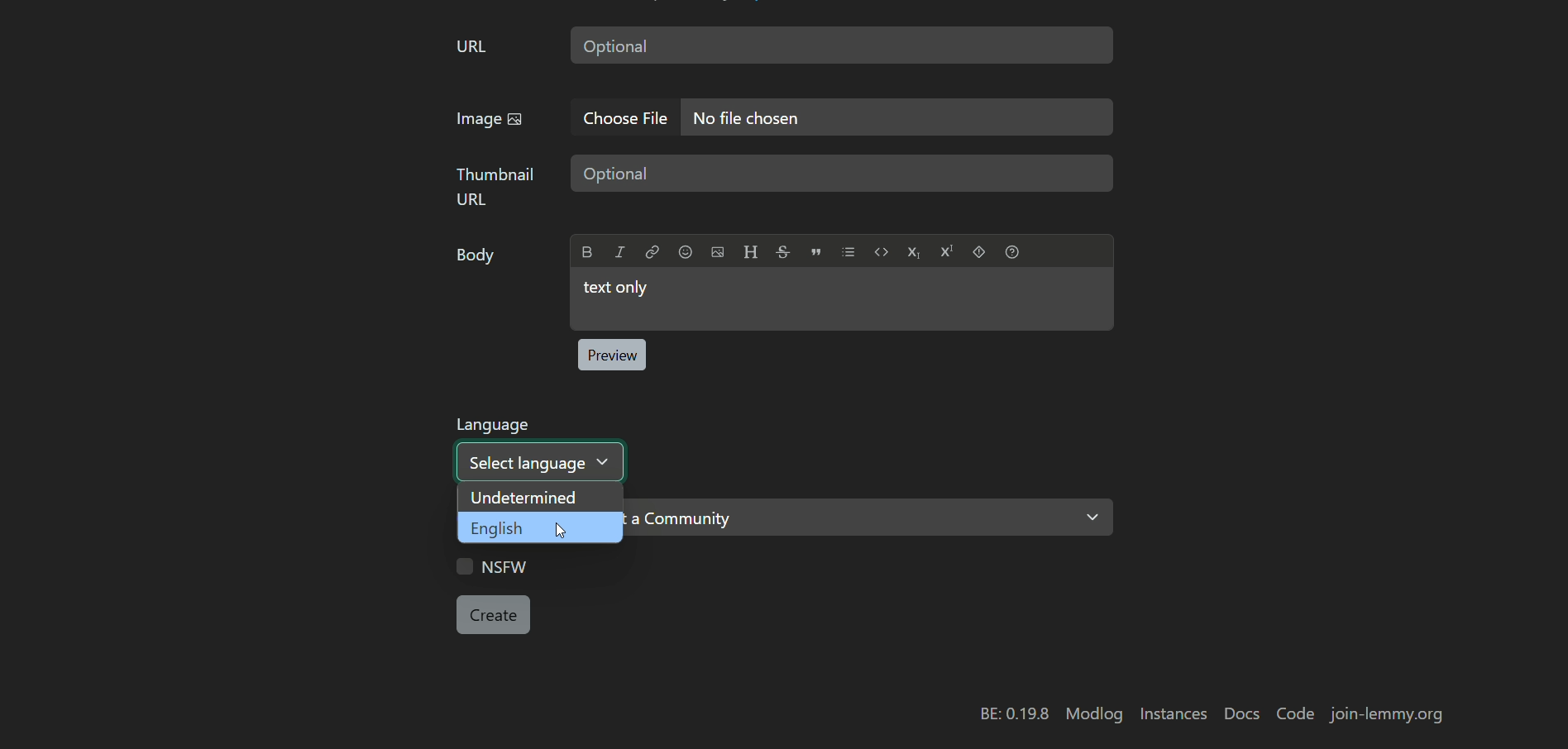 This screenshot has width=1568, height=749. What do you see at coordinates (842, 174) in the screenshot?
I see `text box` at bounding box center [842, 174].